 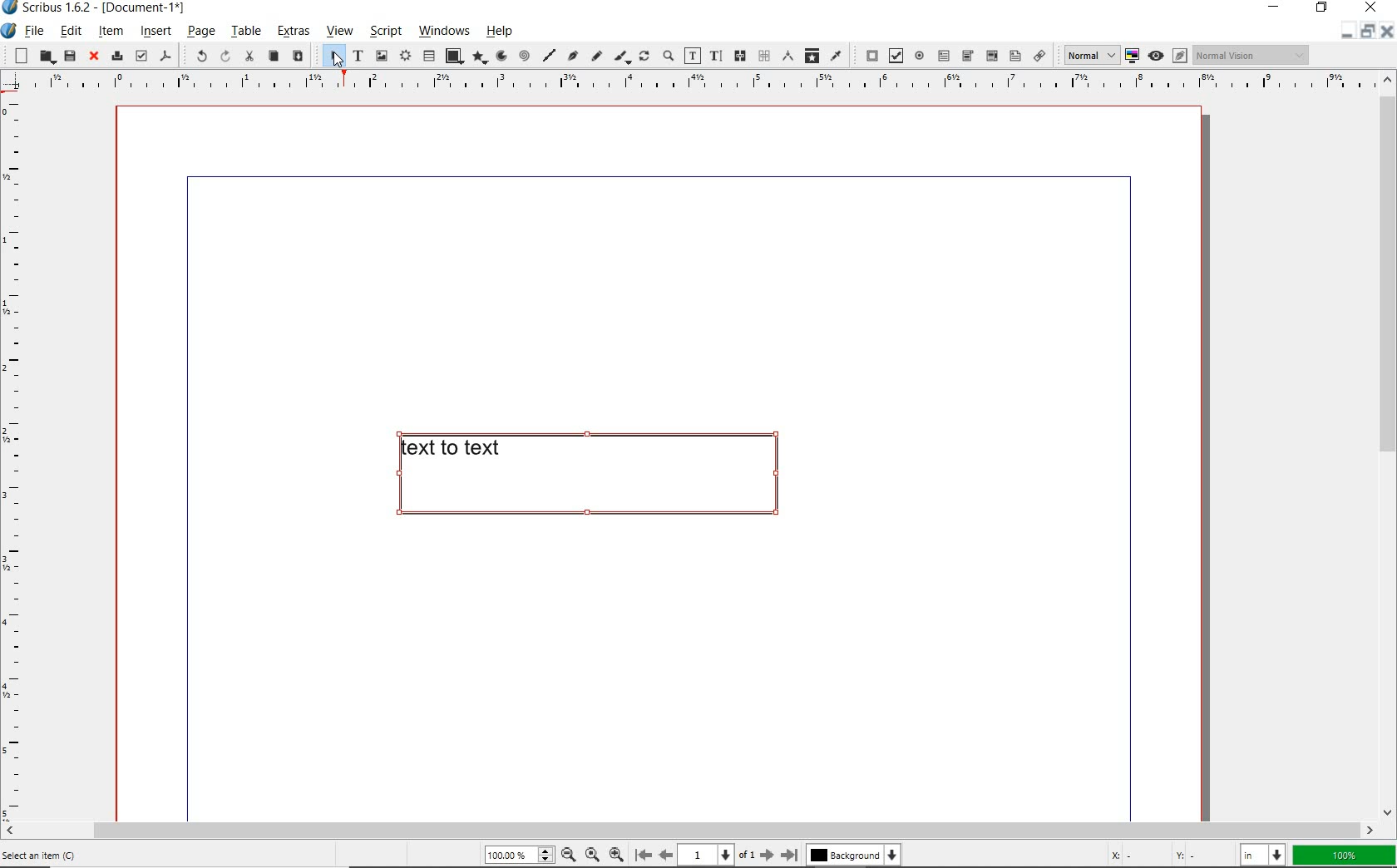 I want to click on calligraphic line, so click(x=622, y=57).